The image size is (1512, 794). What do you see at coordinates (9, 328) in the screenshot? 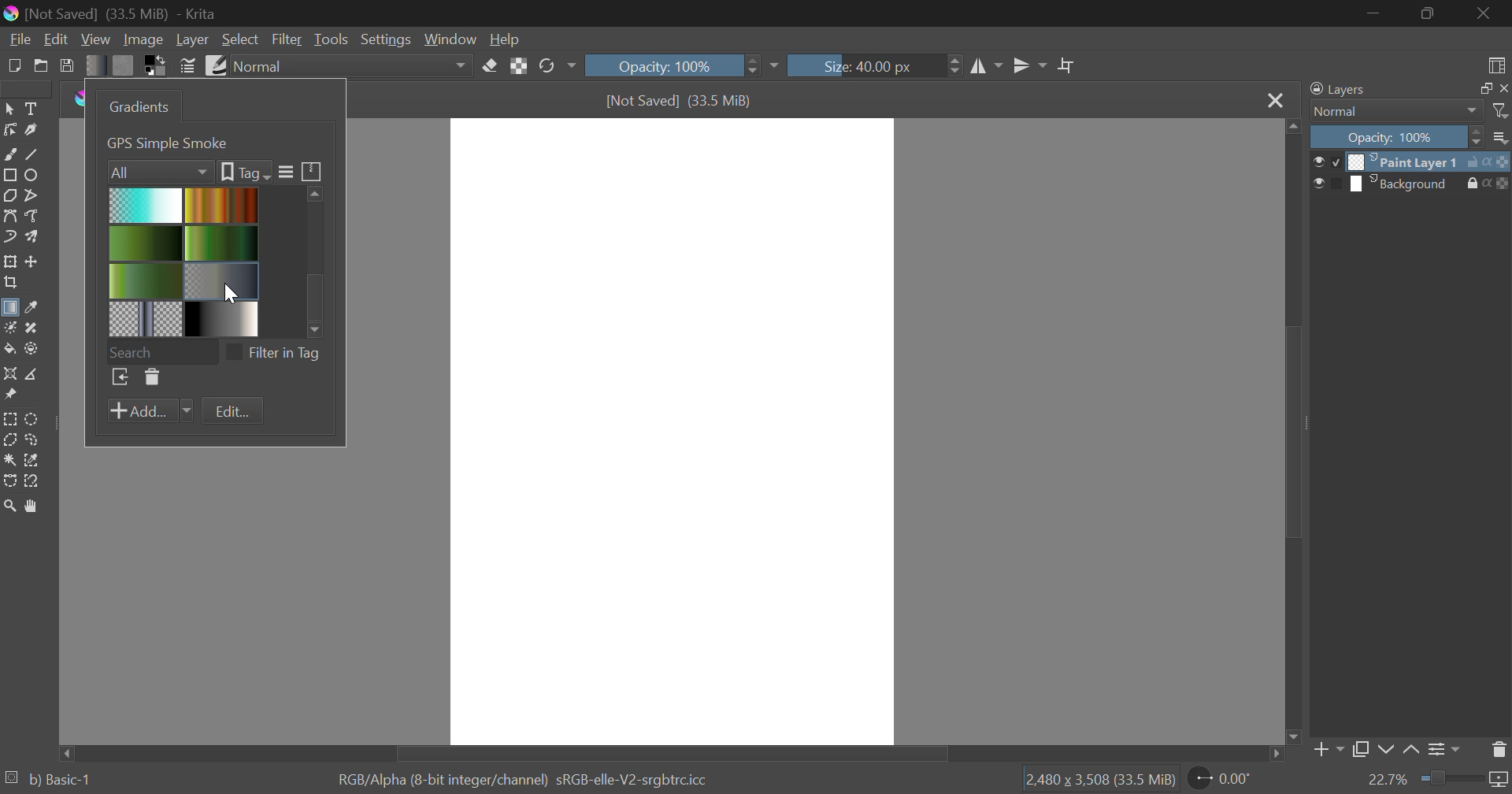
I see `Colorize Mask Tool` at bounding box center [9, 328].